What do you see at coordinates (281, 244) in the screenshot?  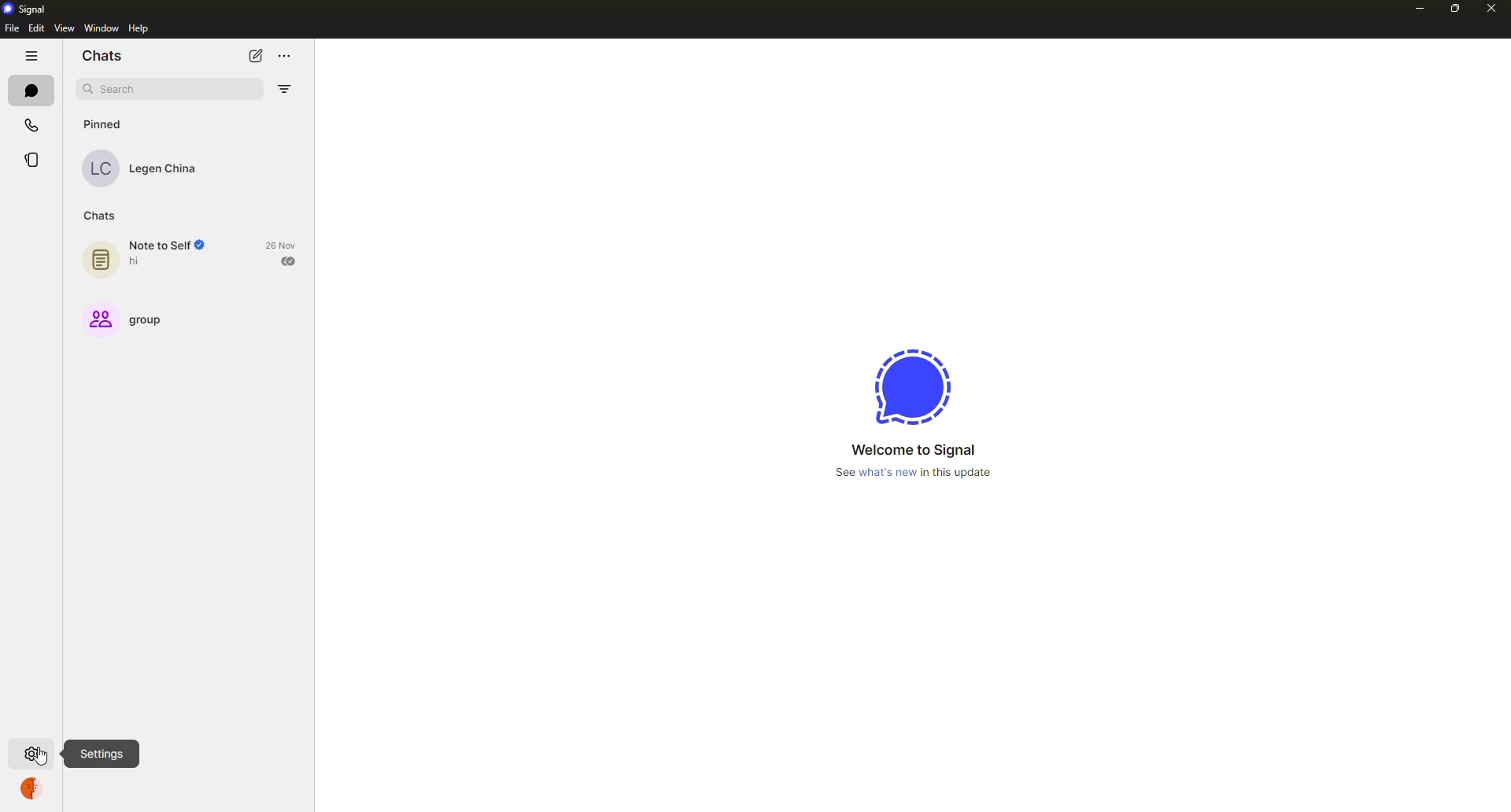 I see `date` at bounding box center [281, 244].